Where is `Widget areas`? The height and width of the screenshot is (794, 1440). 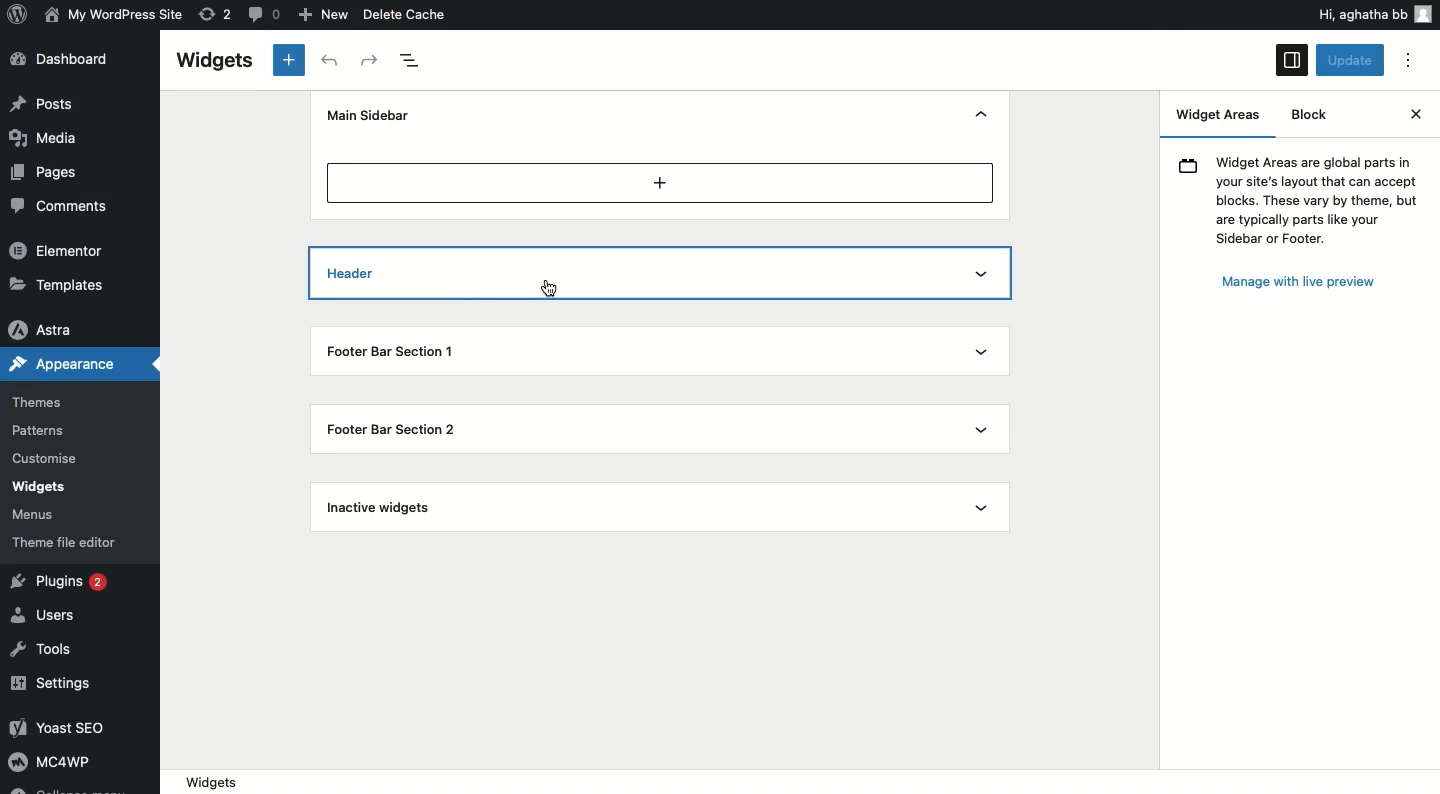
Widget areas is located at coordinates (1222, 118).